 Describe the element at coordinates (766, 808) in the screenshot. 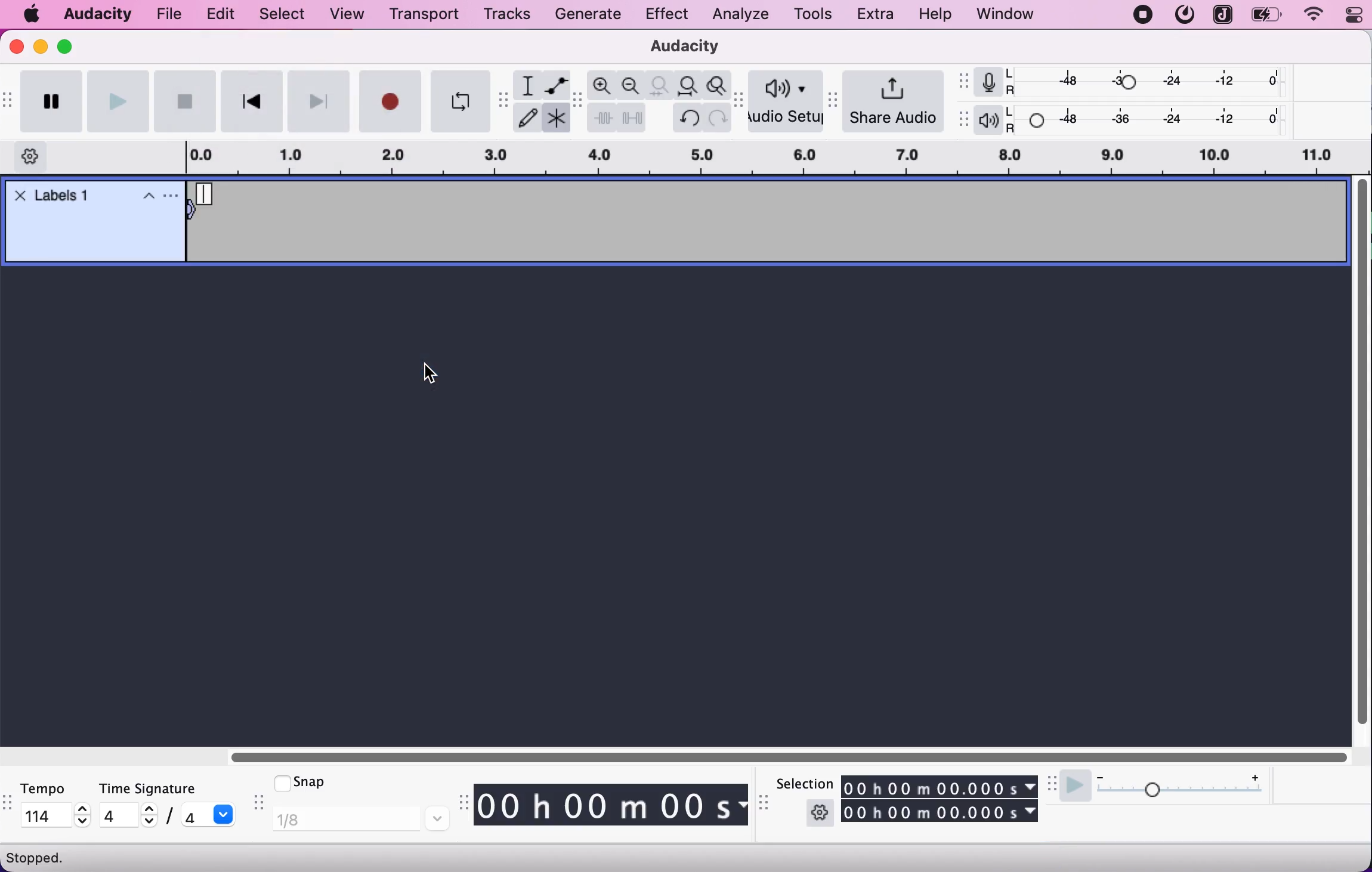

I see `audacity selection toolbar` at that location.